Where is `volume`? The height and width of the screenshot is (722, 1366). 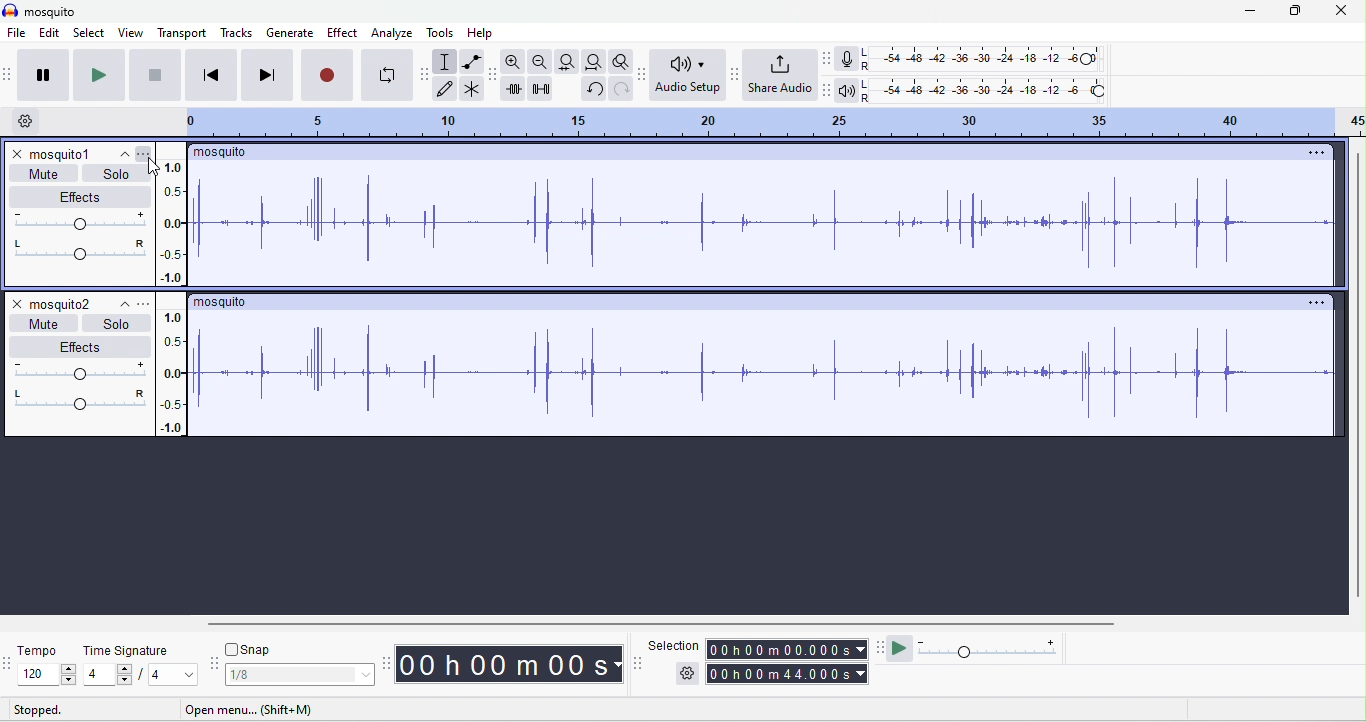 volume is located at coordinates (79, 221).